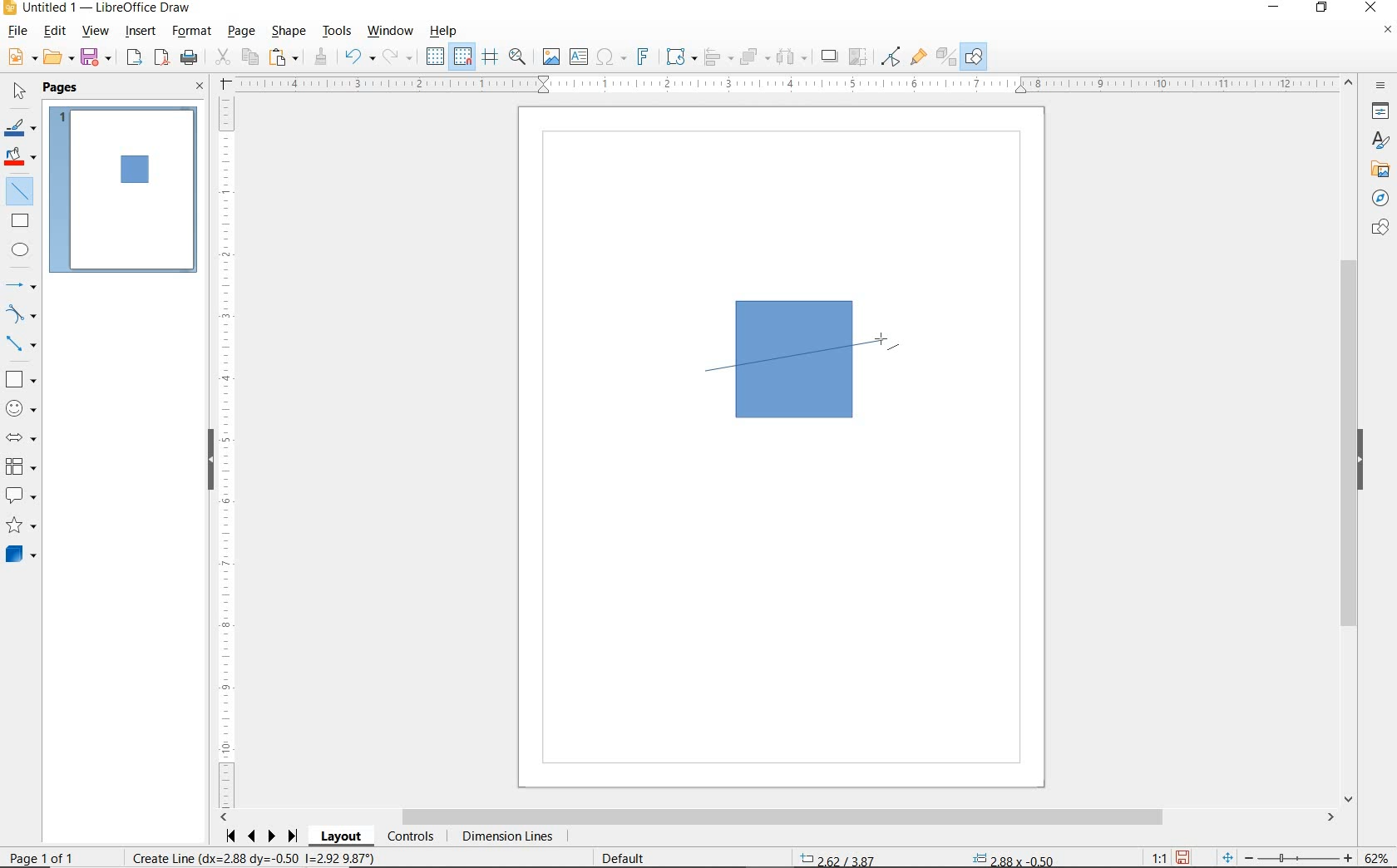  What do you see at coordinates (21, 555) in the screenshot?
I see `3D SHAPES` at bounding box center [21, 555].